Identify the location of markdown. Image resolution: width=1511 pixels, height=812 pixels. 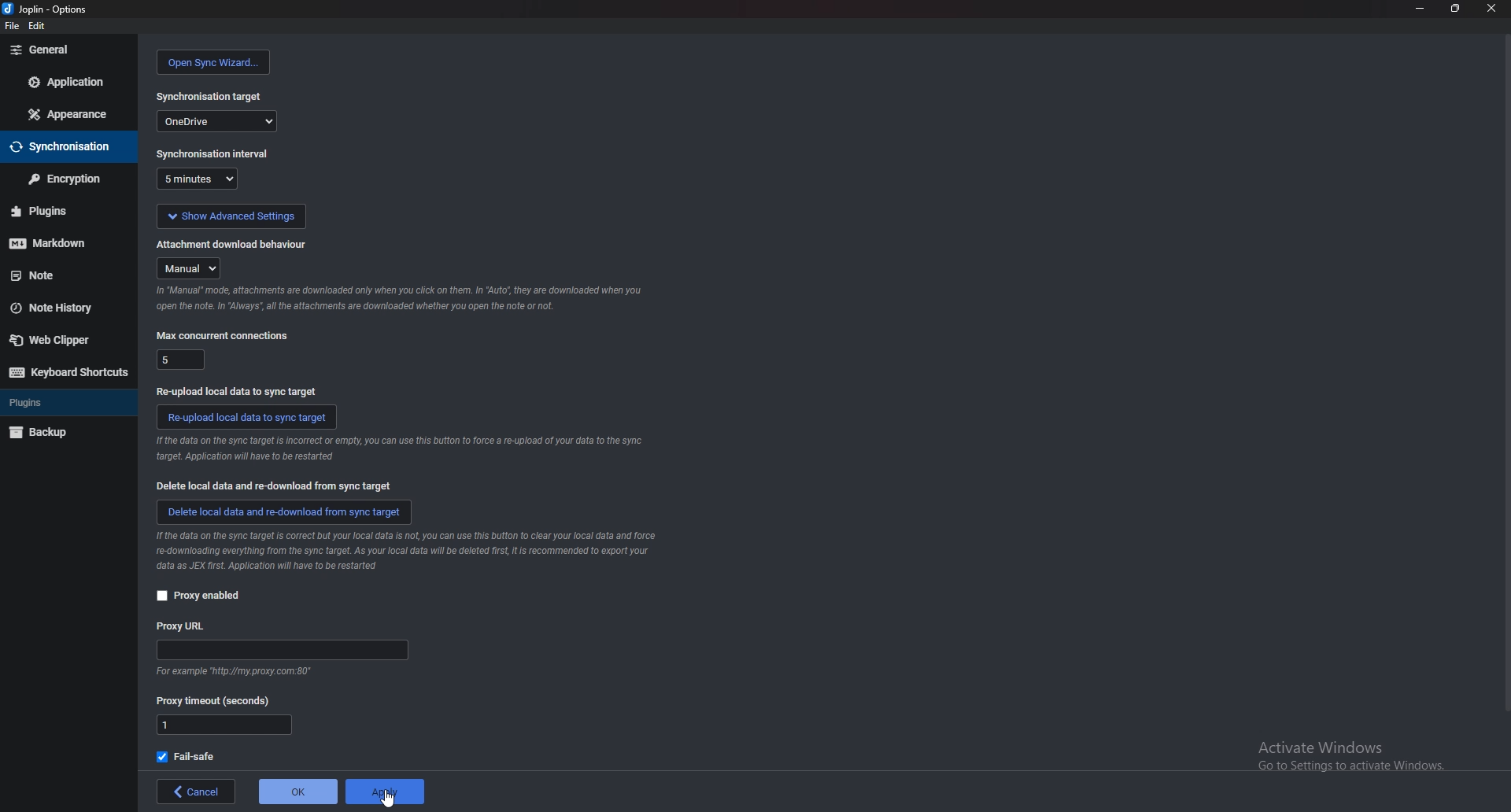
(63, 243).